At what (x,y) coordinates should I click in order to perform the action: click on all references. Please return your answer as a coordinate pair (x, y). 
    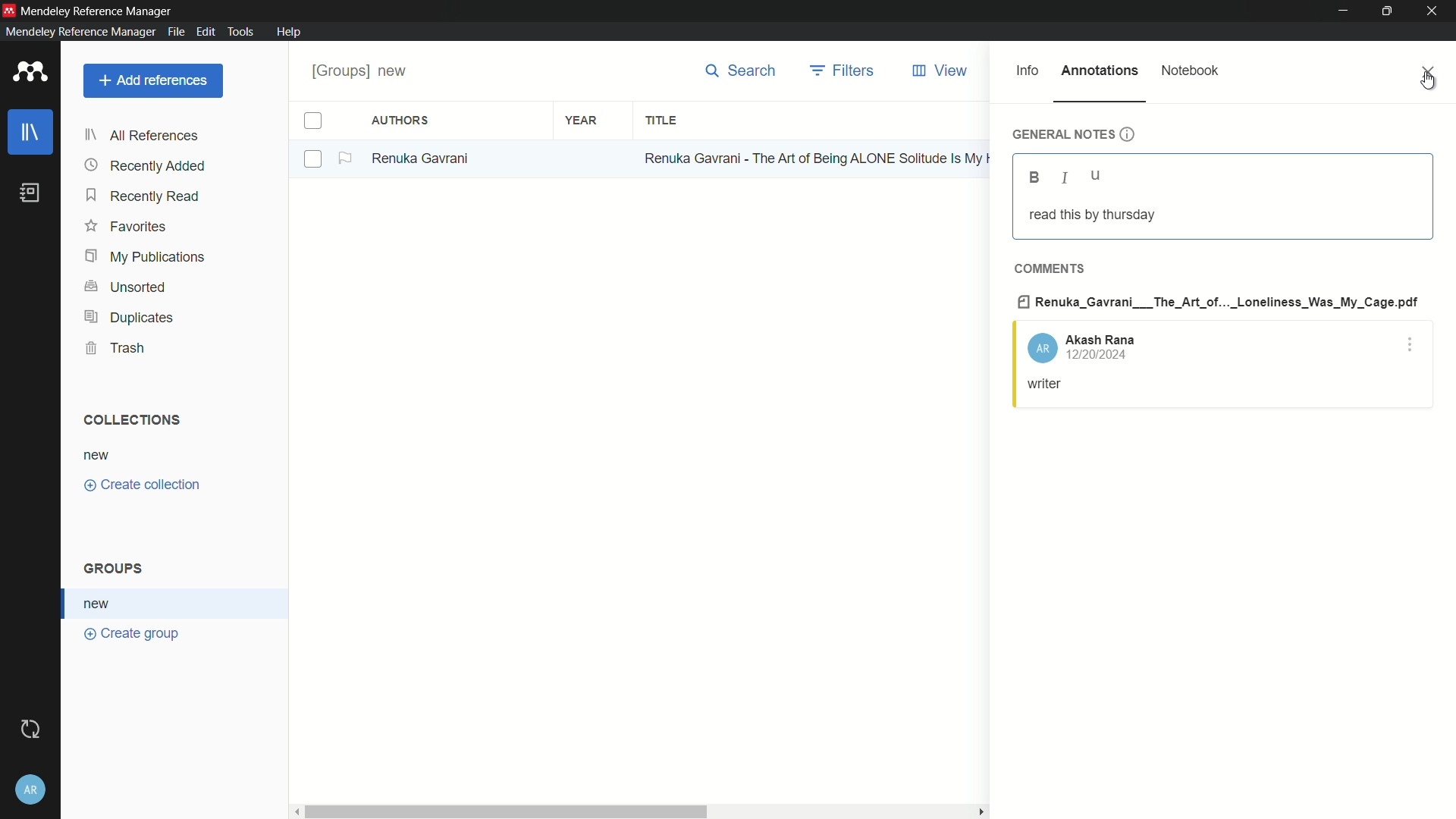
    Looking at the image, I should click on (141, 137).